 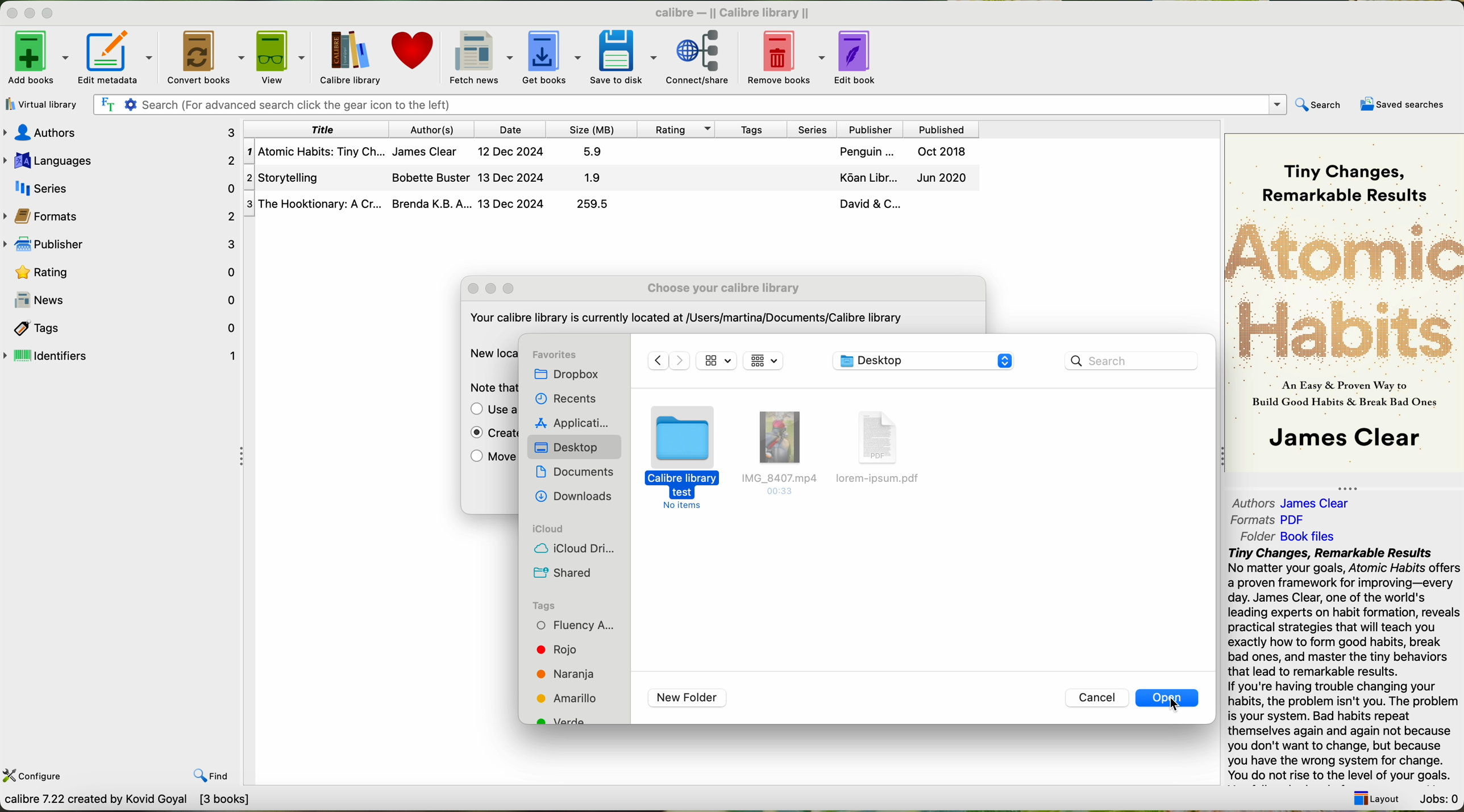 What do you see at coordinates (168, 802) in the screenshot?
I see `Choose calbre library to work with Calbre Library [3book}` at bounding box center [168, 802].